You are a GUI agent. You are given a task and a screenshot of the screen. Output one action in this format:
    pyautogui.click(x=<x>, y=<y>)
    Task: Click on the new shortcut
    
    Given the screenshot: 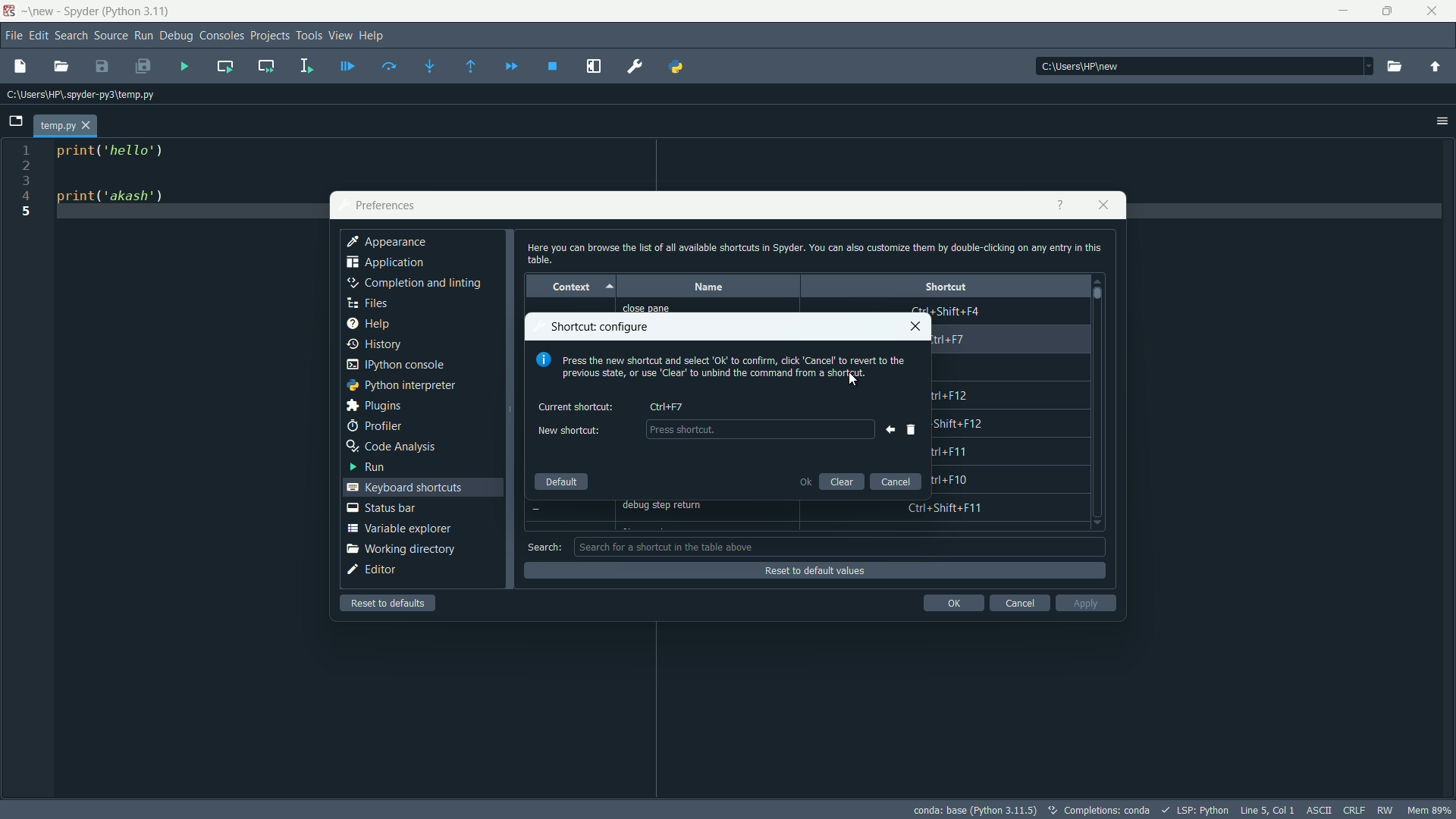 What is the action you would take?
    pyautogui.click(x=758, y=430)
    